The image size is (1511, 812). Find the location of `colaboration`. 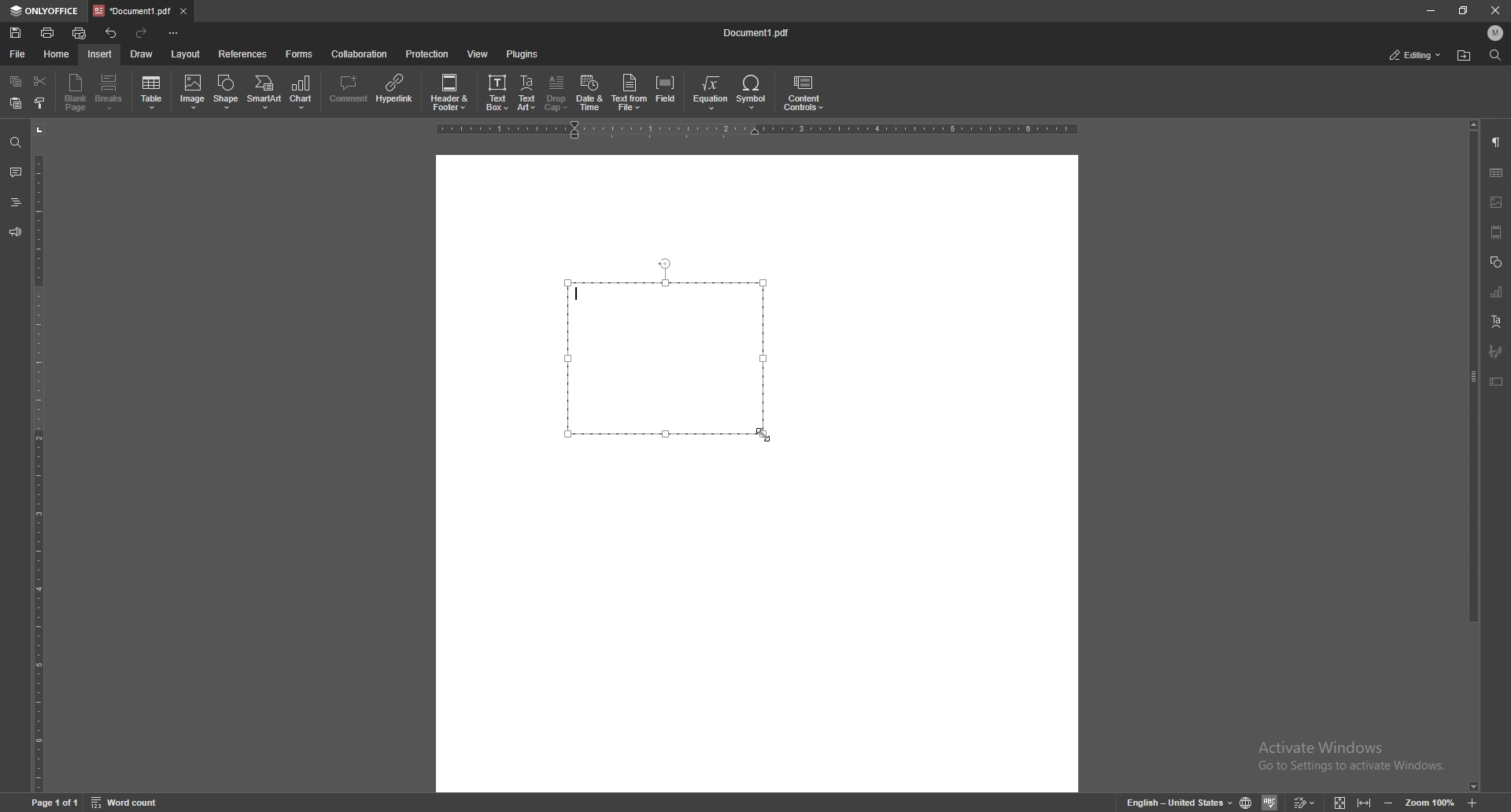

colaboration is located at coordinates (360, 54).